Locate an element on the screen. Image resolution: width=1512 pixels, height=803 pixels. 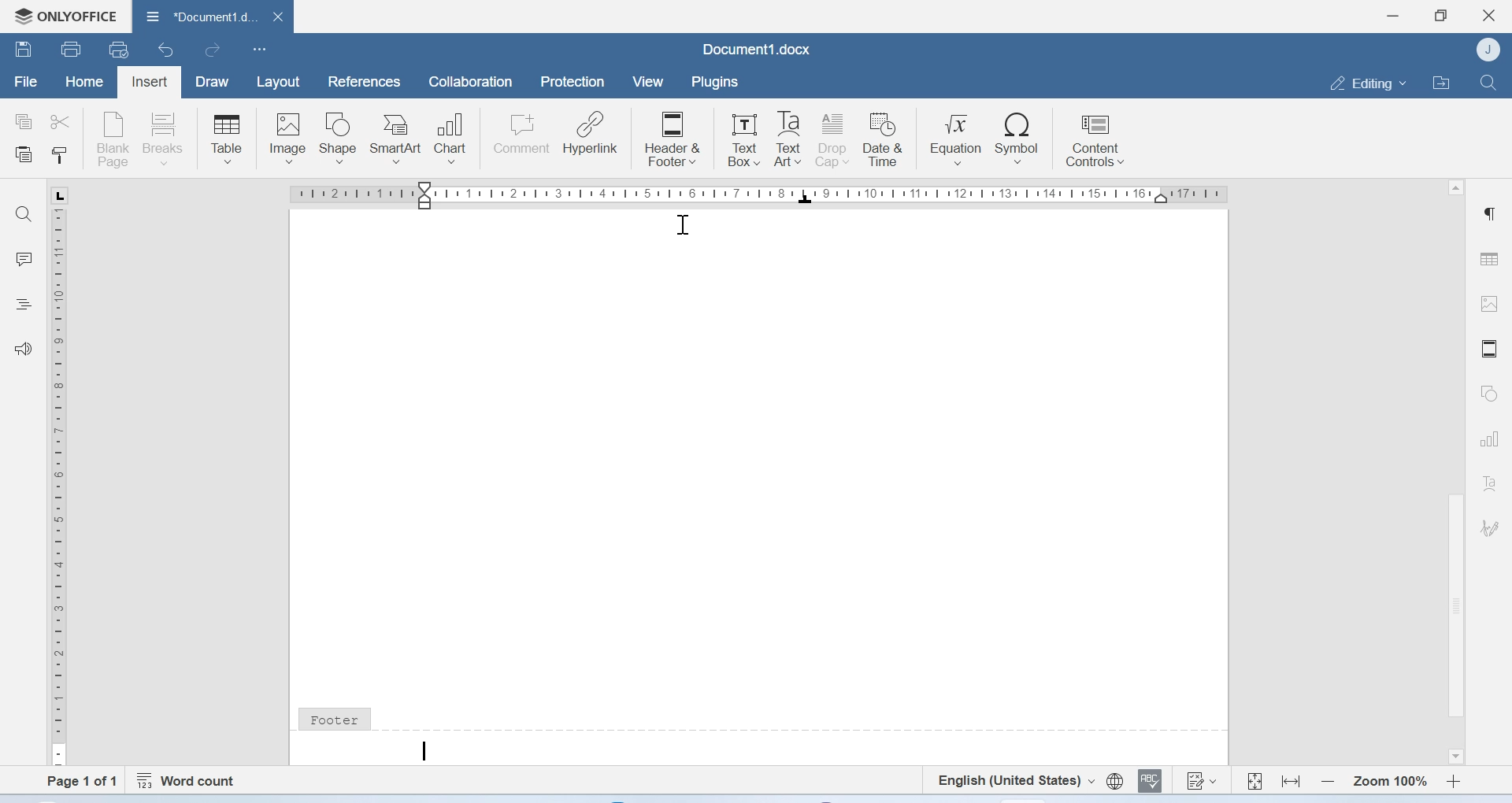
Set document language is located at coordinates (1114, 782).